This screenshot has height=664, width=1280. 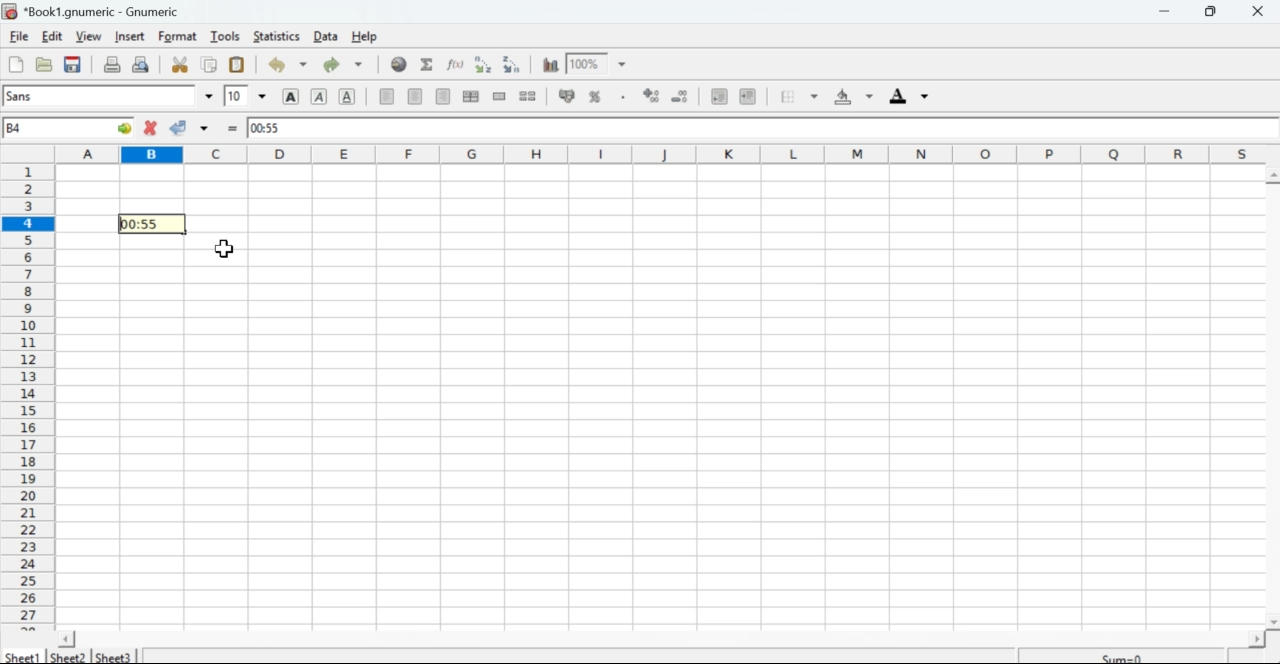 What do you see at coordinates (499, 97) in the screenshot?
I see `Merge cells` at bounding box center [499, 97].